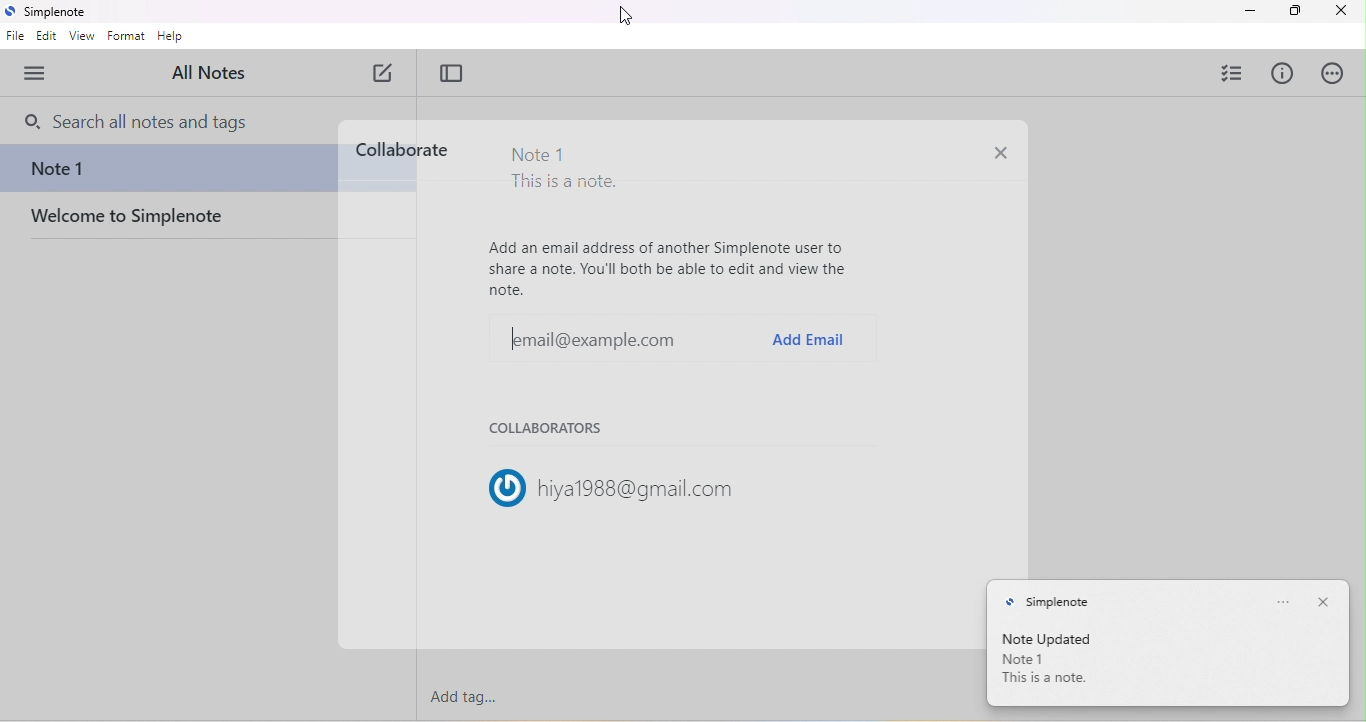 This screenshot has width=1366, height=722. Describe the element at coordinates (464, 695) in the screenshot. I see `add tag` at that location.